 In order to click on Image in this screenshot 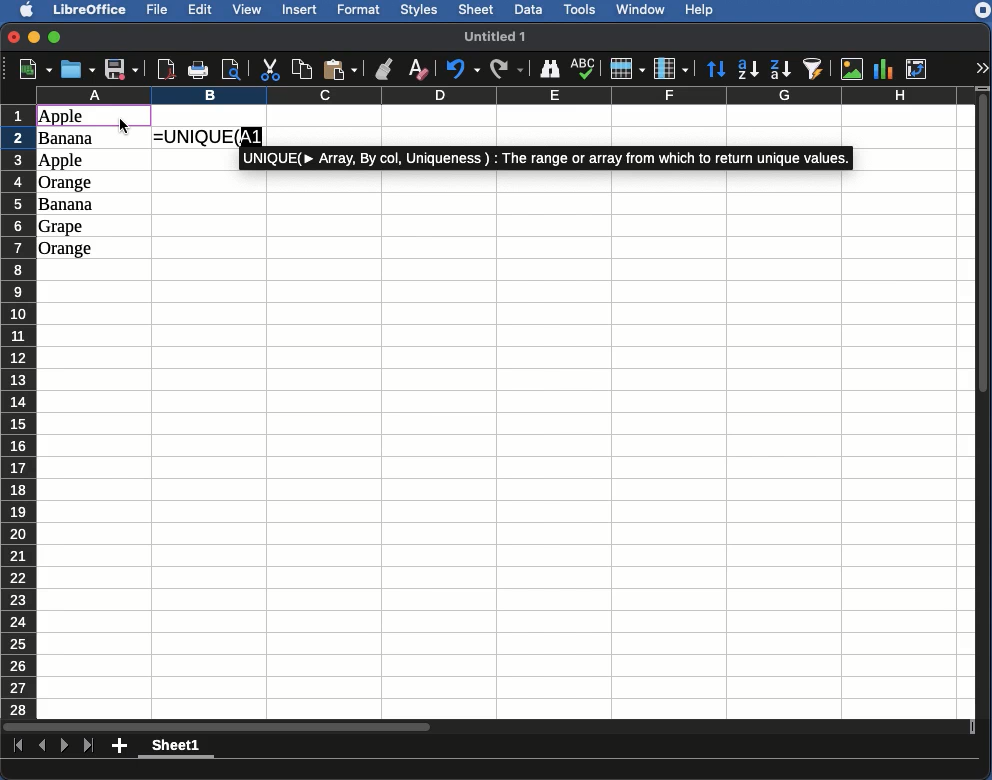, I will do `click(852, 68)`.